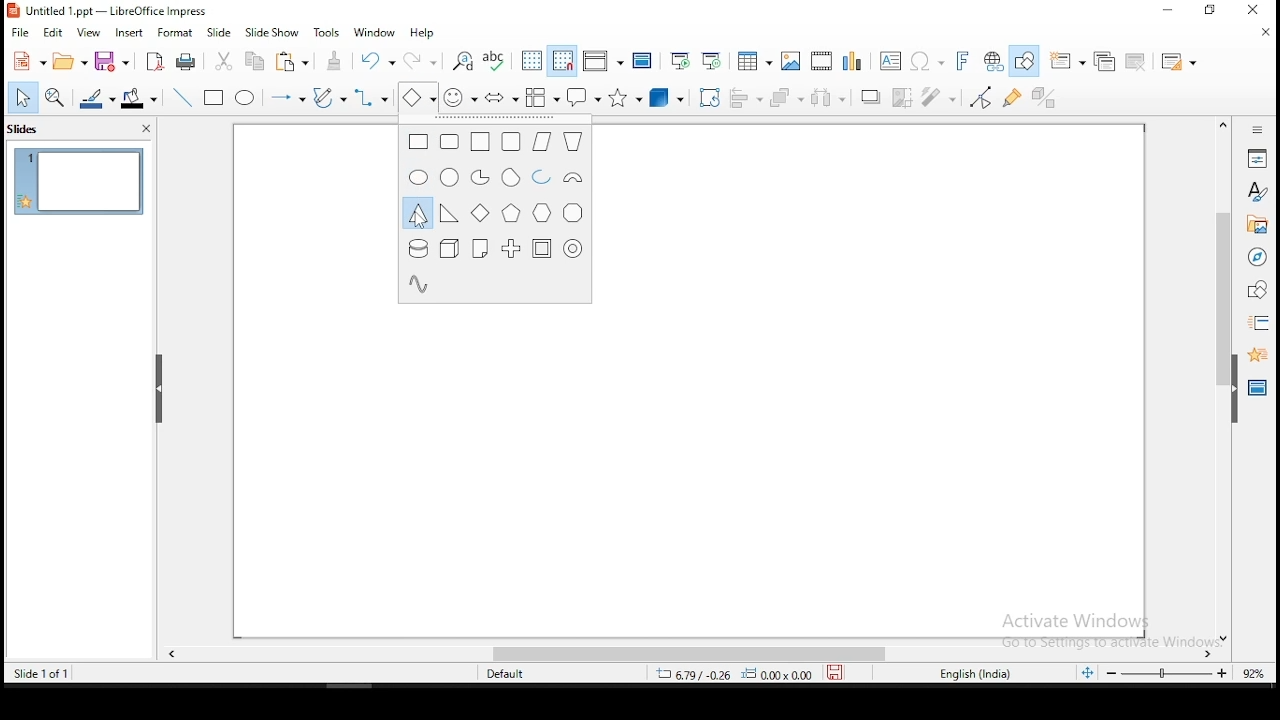  Describe the element at coordinates (1262, 322) in the screenshot. I see `slide transition` at that location.